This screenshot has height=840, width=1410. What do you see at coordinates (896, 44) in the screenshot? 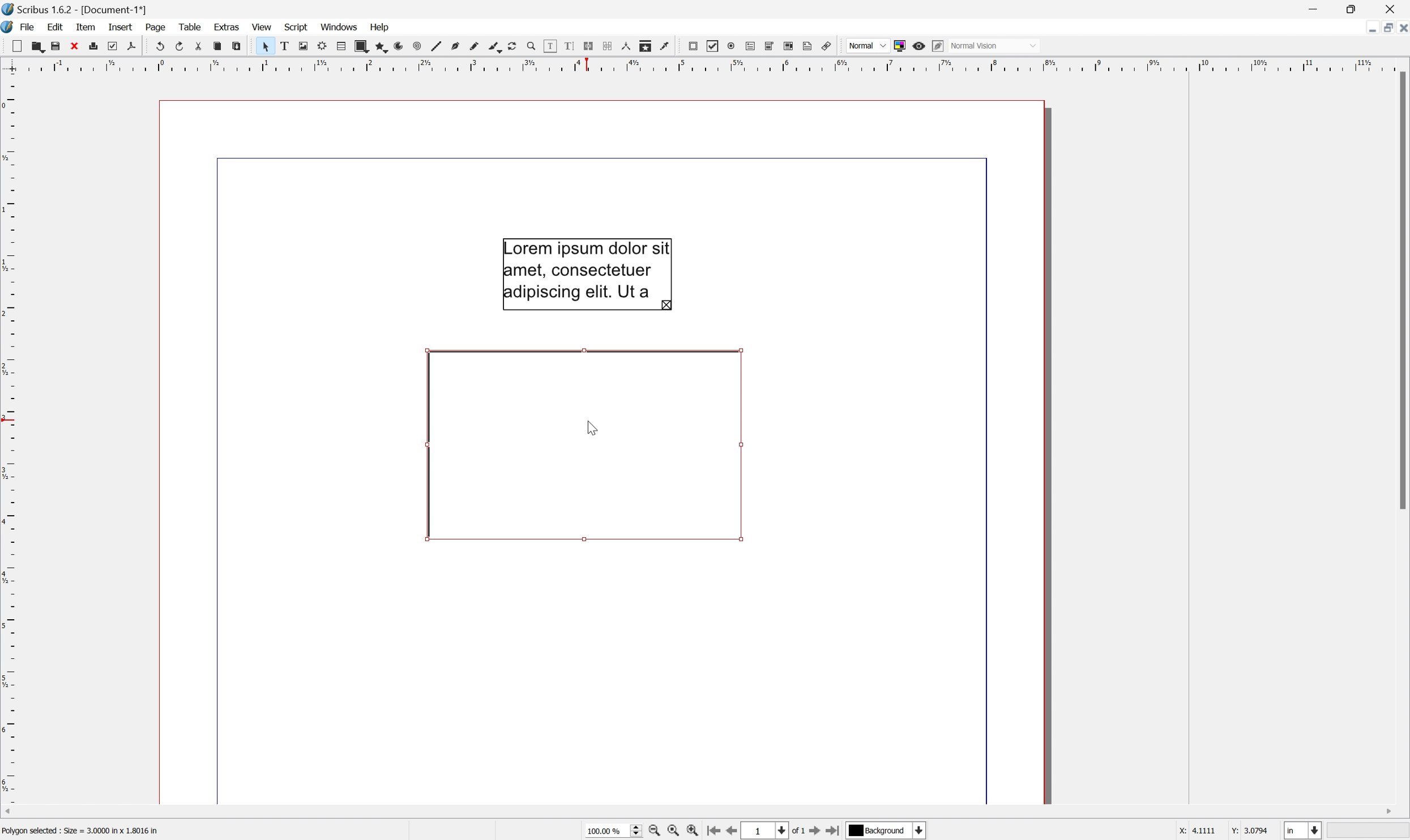
I see `Toggle color management system` at bounding box center [896, 44].